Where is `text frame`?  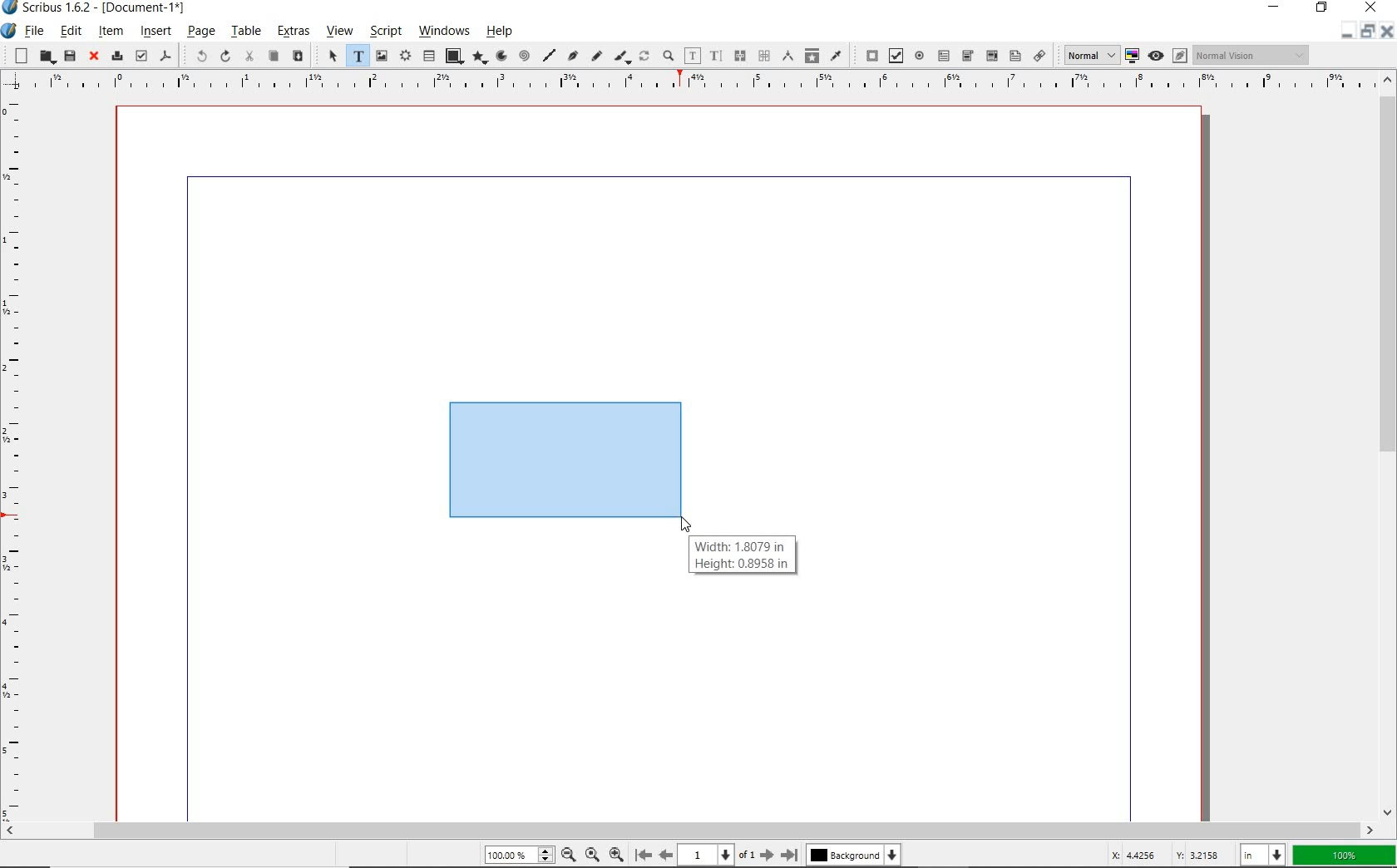
text frame is located at coordinates (355, 56).